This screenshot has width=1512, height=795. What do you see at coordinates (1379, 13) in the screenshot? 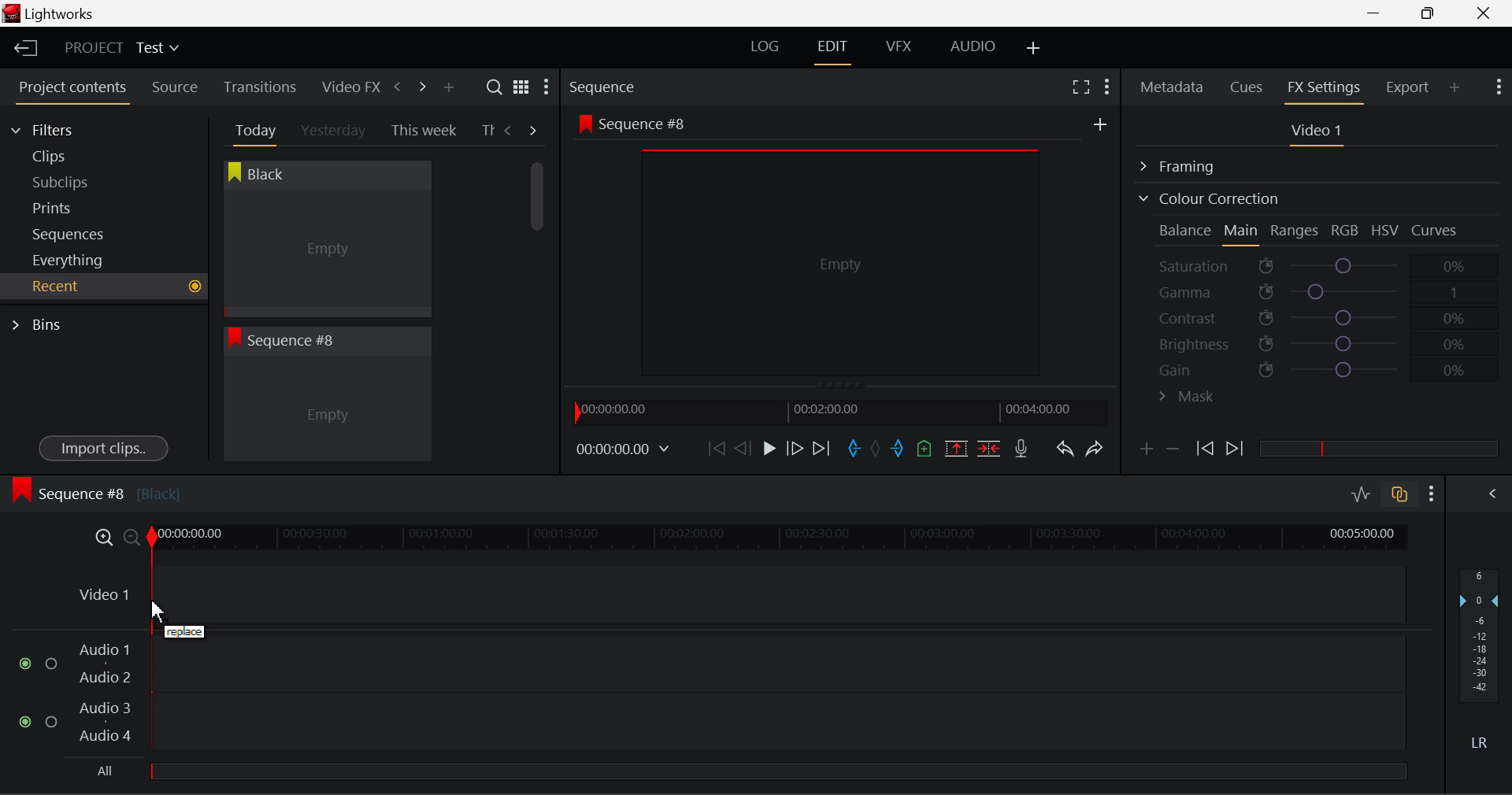
I see `Restore Down` at bounding box center [1379, 13].